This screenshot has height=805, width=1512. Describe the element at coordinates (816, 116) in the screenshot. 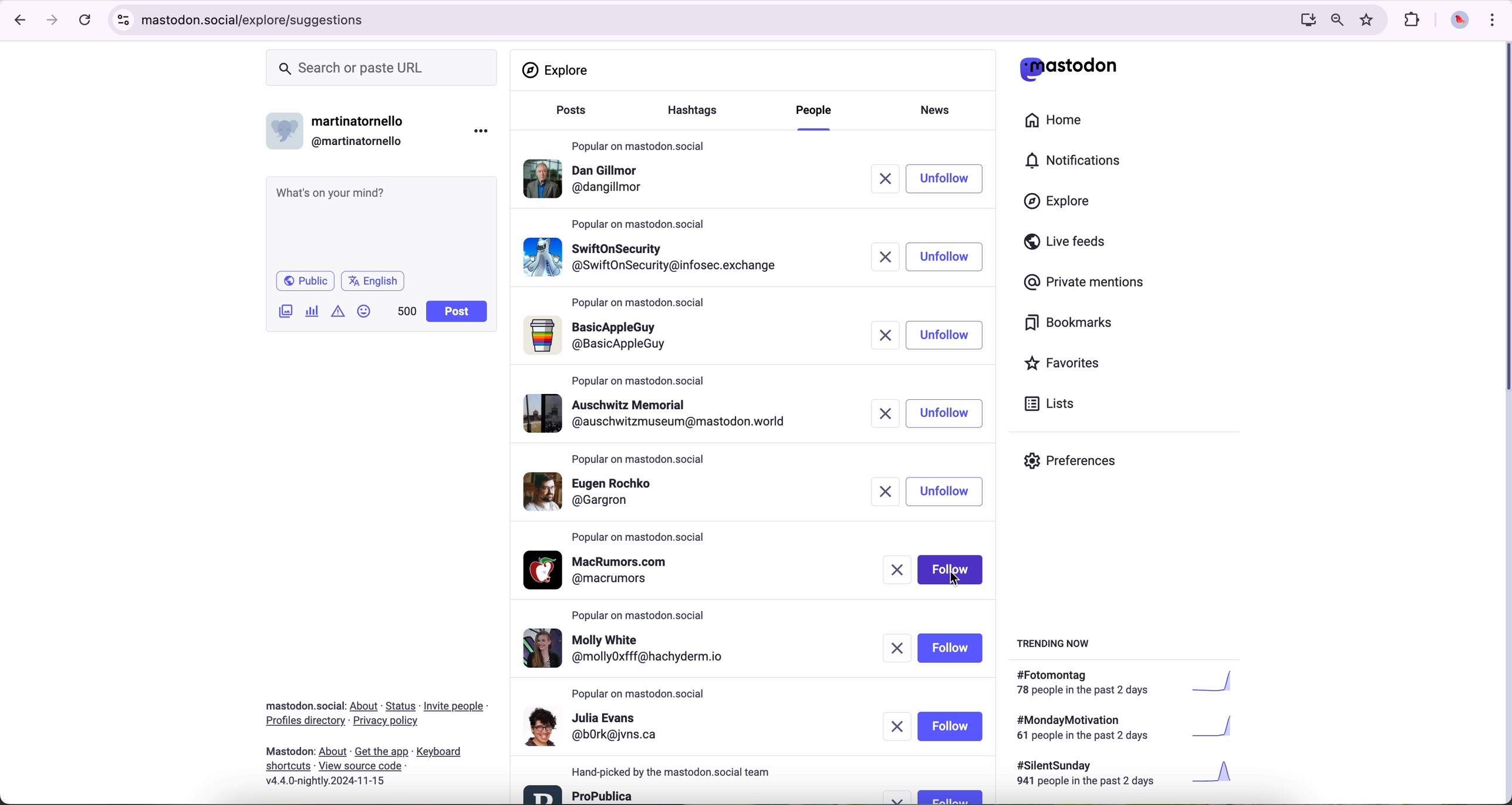

I see `click on people` at that location.